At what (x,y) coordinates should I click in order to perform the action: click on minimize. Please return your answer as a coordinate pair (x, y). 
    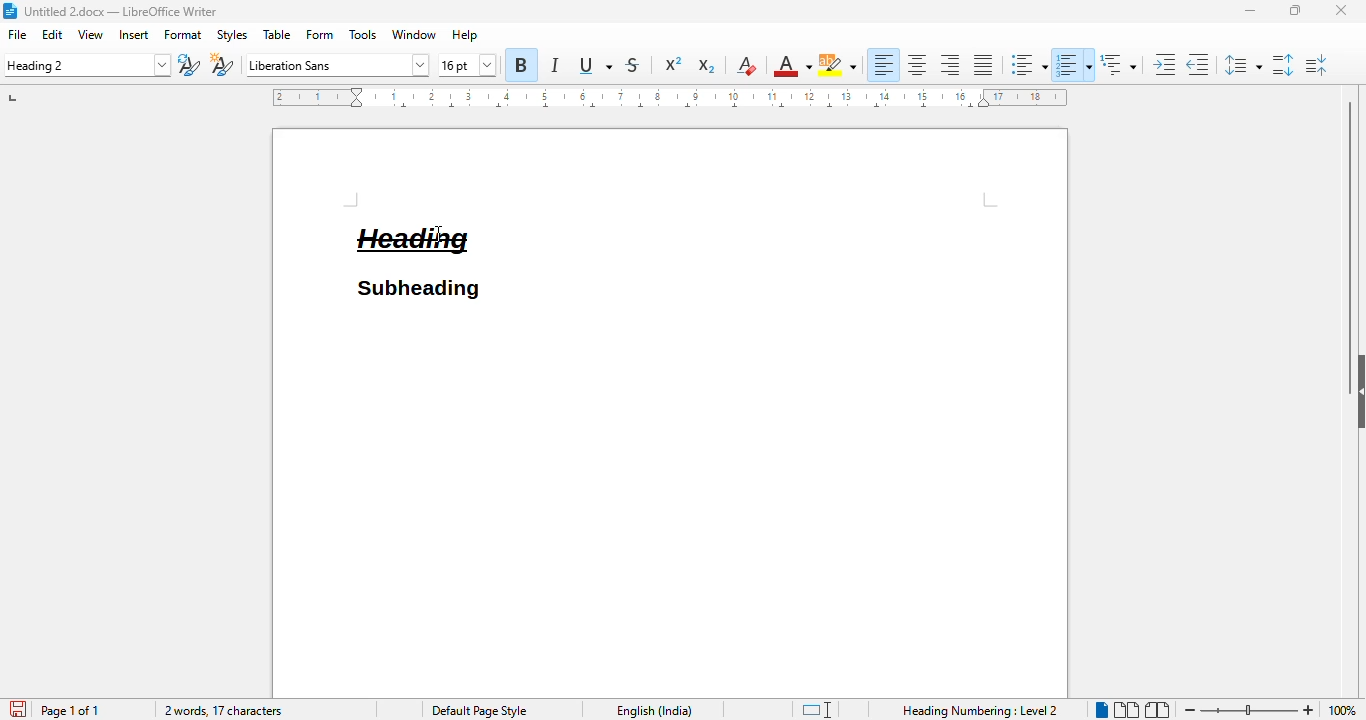
    Looking at the image, I should click on (1251, 11).